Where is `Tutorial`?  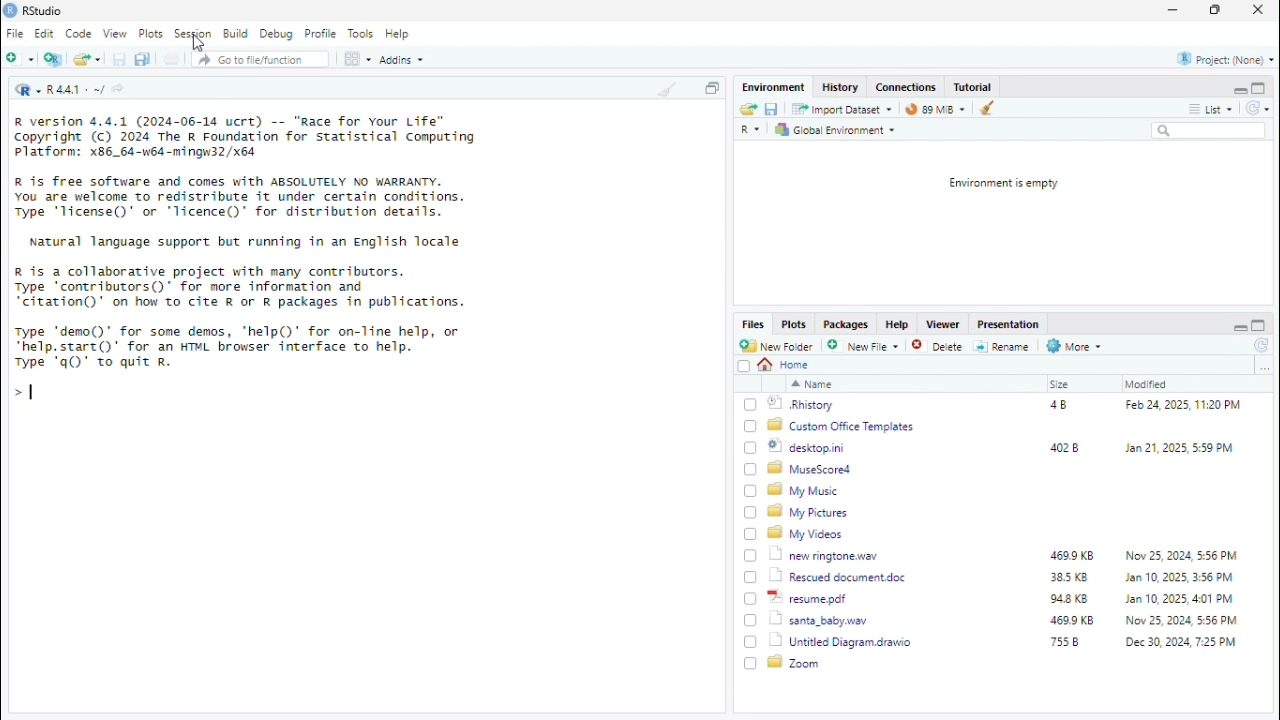 Tutorial is located at coordinates (974, 87).